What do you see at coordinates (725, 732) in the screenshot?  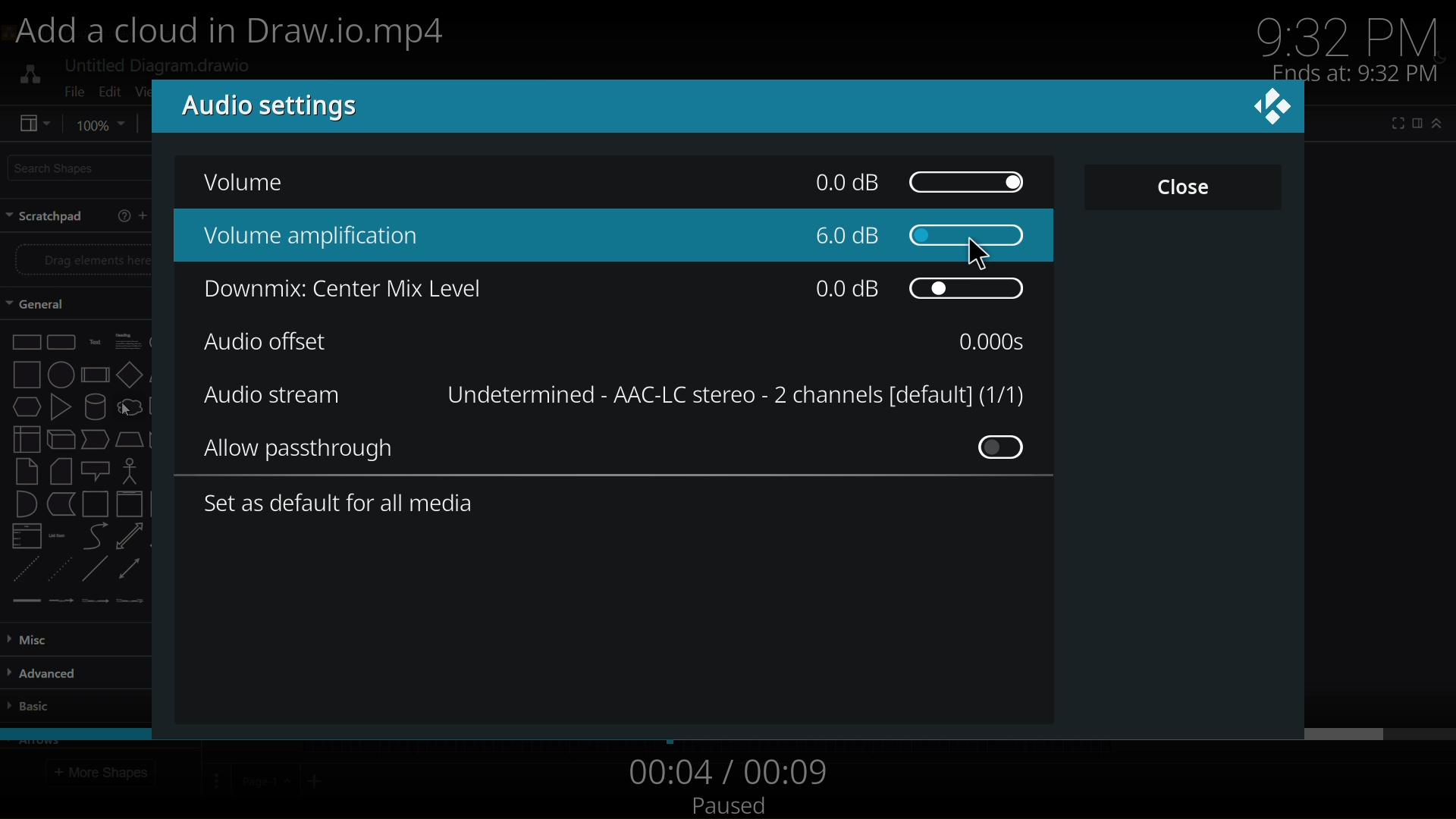 I see `video string` at bounding box center [725, 732].